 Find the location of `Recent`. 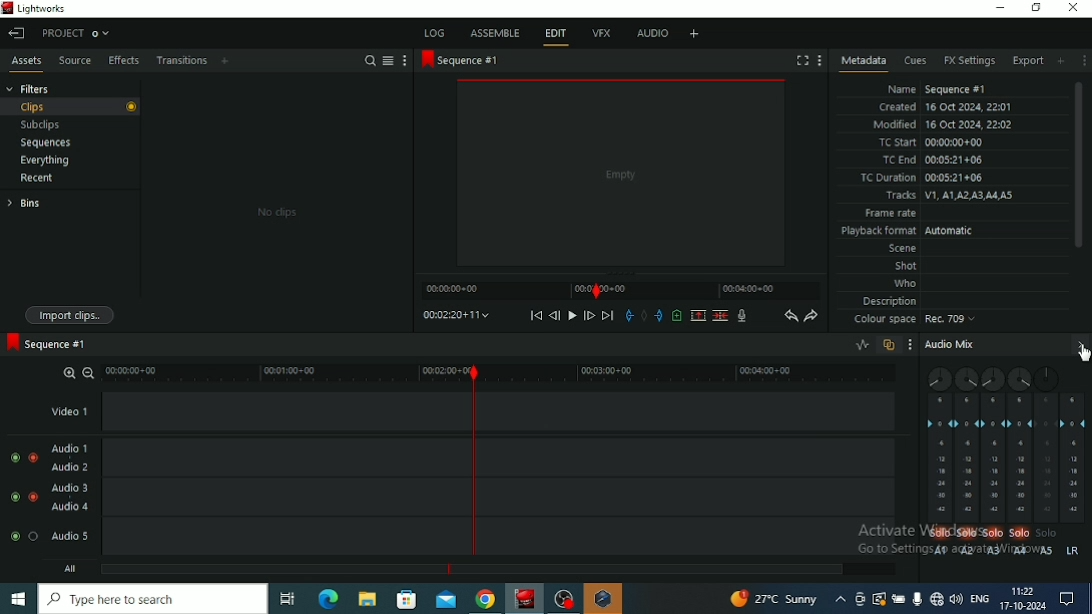

Recent is located at coordinates (37, 179).